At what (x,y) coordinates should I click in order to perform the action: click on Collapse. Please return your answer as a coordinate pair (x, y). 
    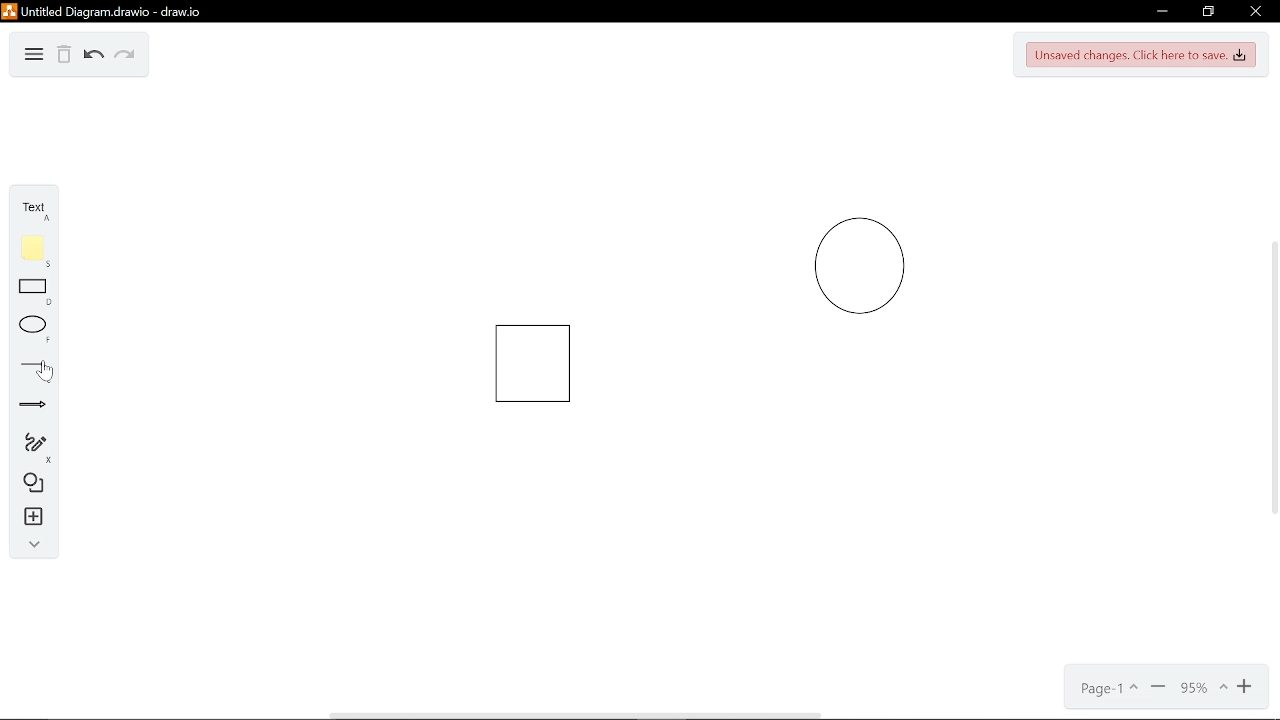
    Looking at the image, I should click on (28, 544).